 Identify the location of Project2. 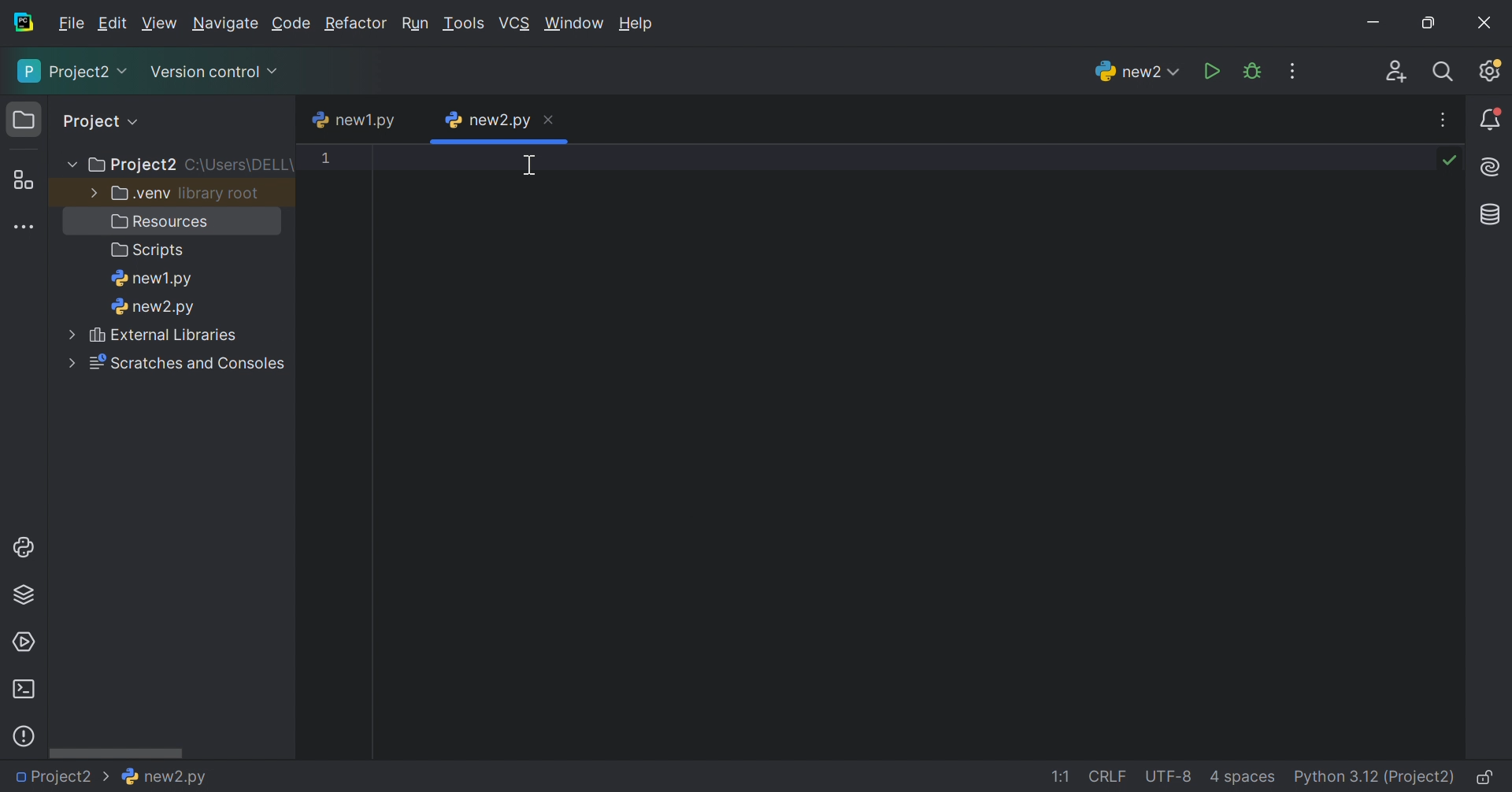
(74, 72).